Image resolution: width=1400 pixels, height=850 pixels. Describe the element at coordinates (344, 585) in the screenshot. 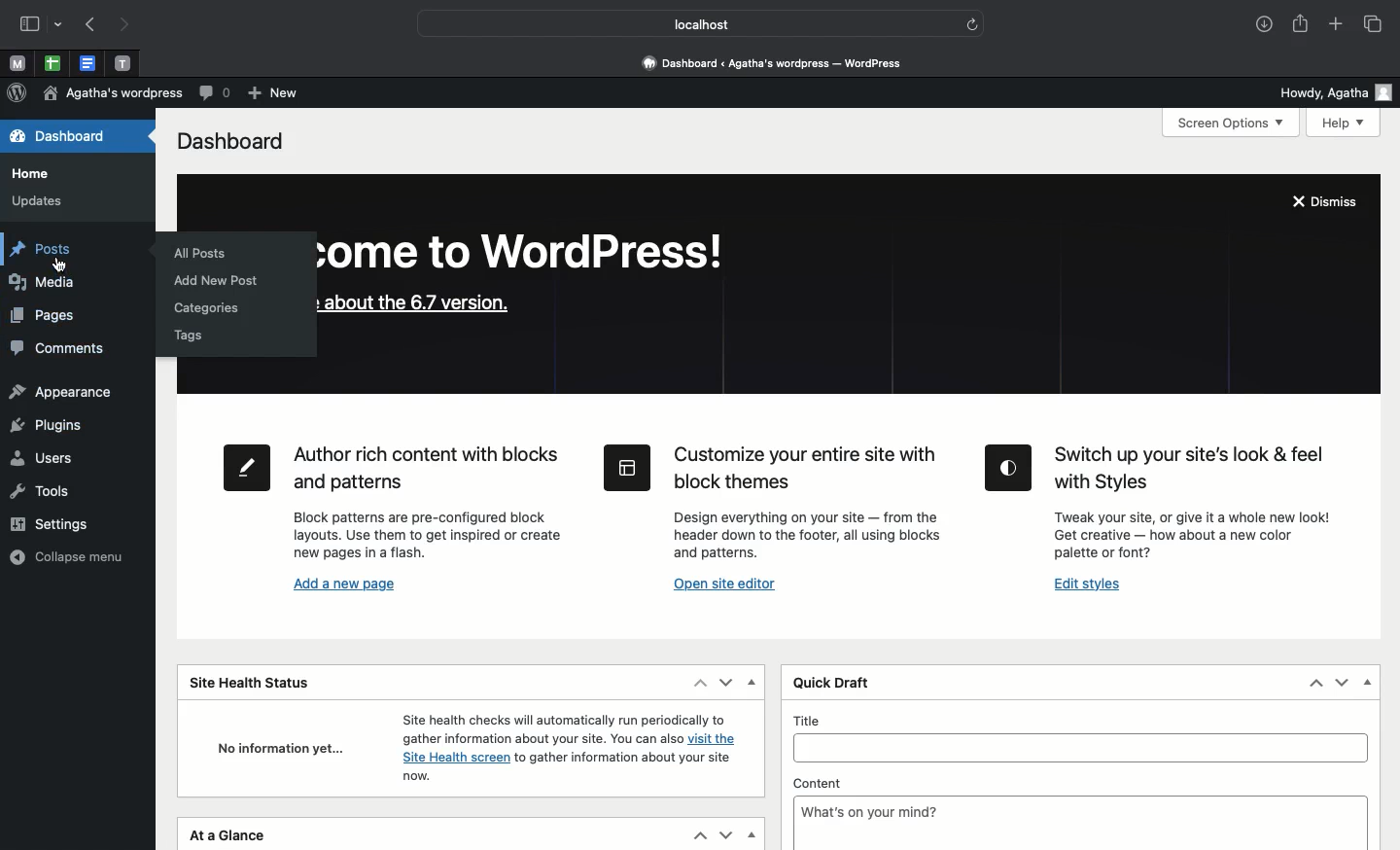

I see `‘Add a new page` at that location.